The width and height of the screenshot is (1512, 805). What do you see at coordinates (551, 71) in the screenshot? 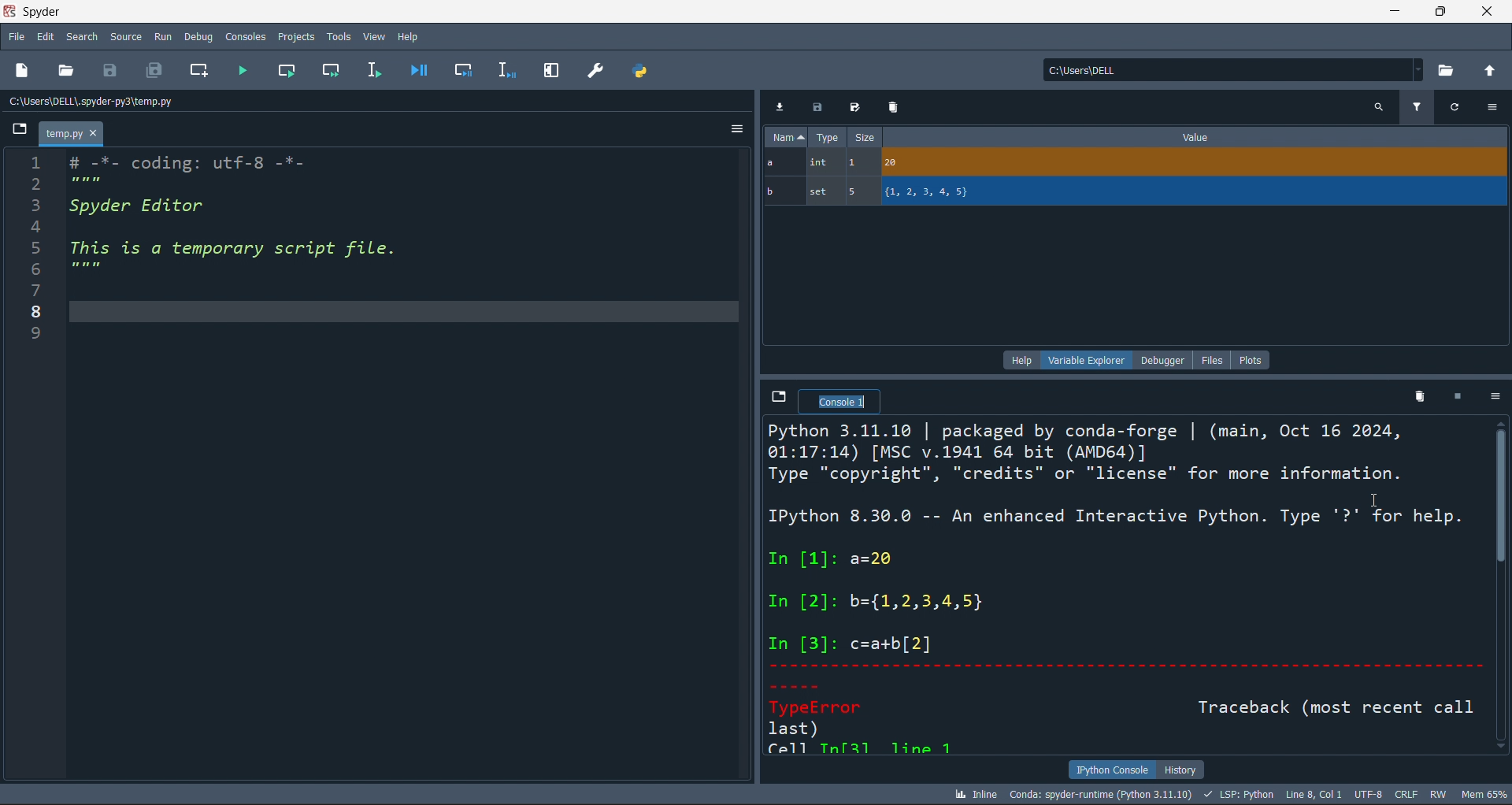
I see `expand pane` at bounding box center [551, 71].